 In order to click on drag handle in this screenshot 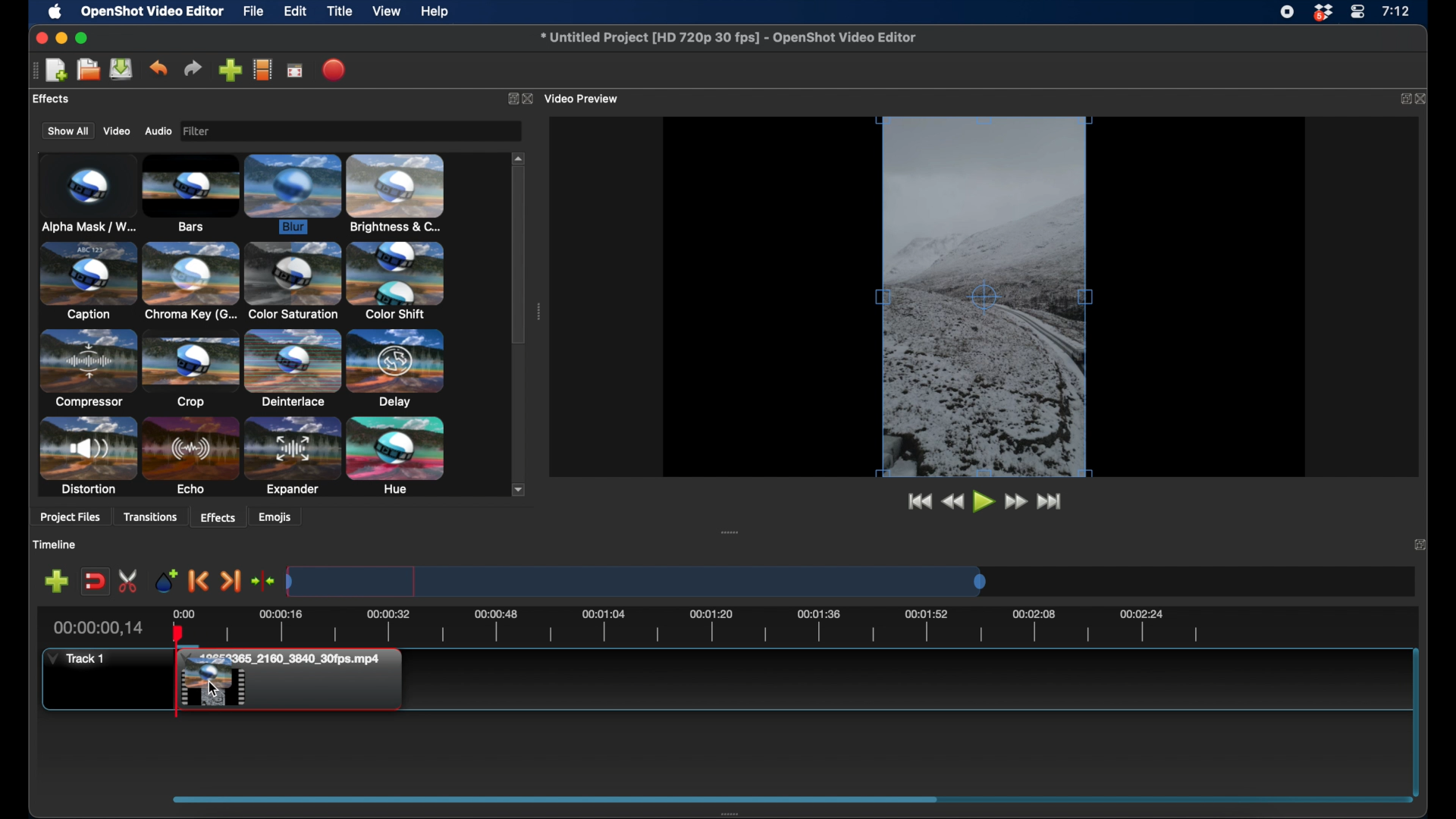, I will do `click(733, 813)`.